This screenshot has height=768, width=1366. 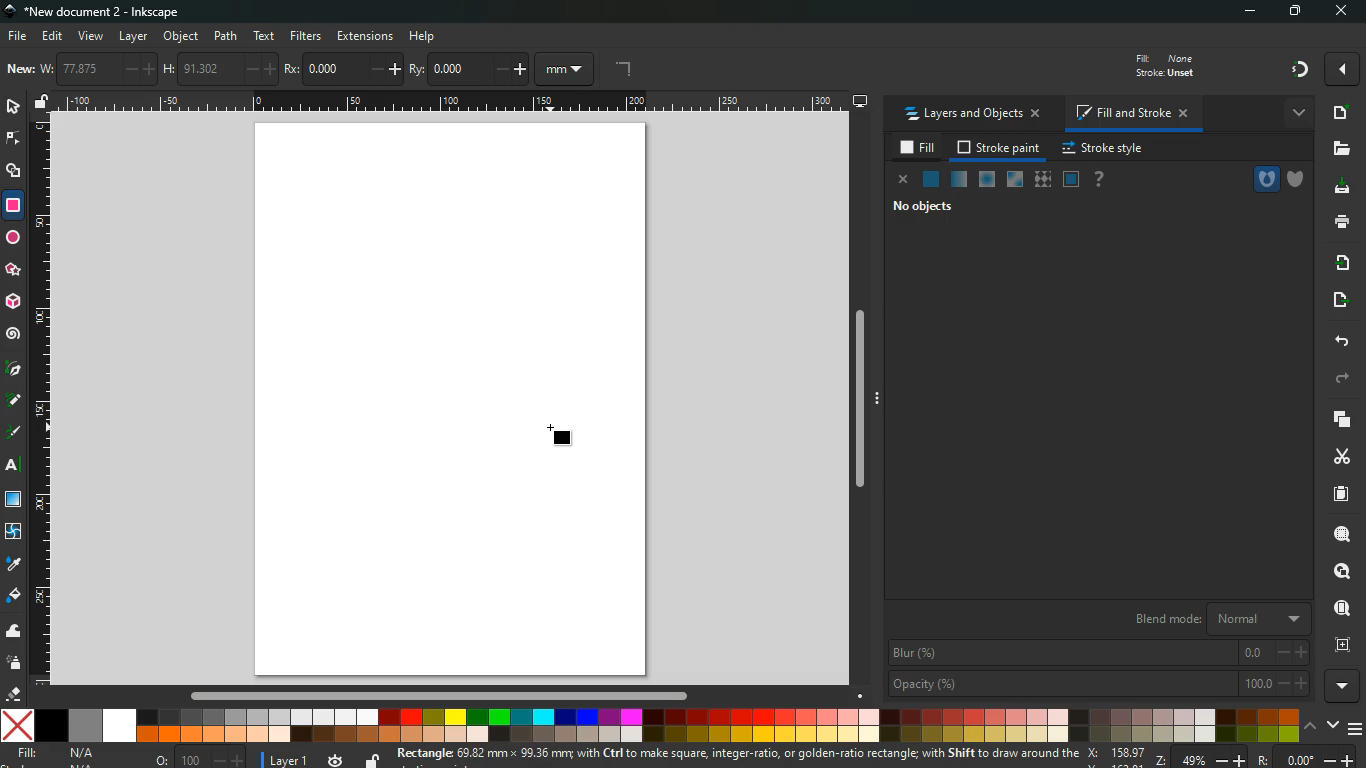 What do you see at coordinates (1345, 264) in the screenshot?
I see `receive` at bounding box center [1345, 264].